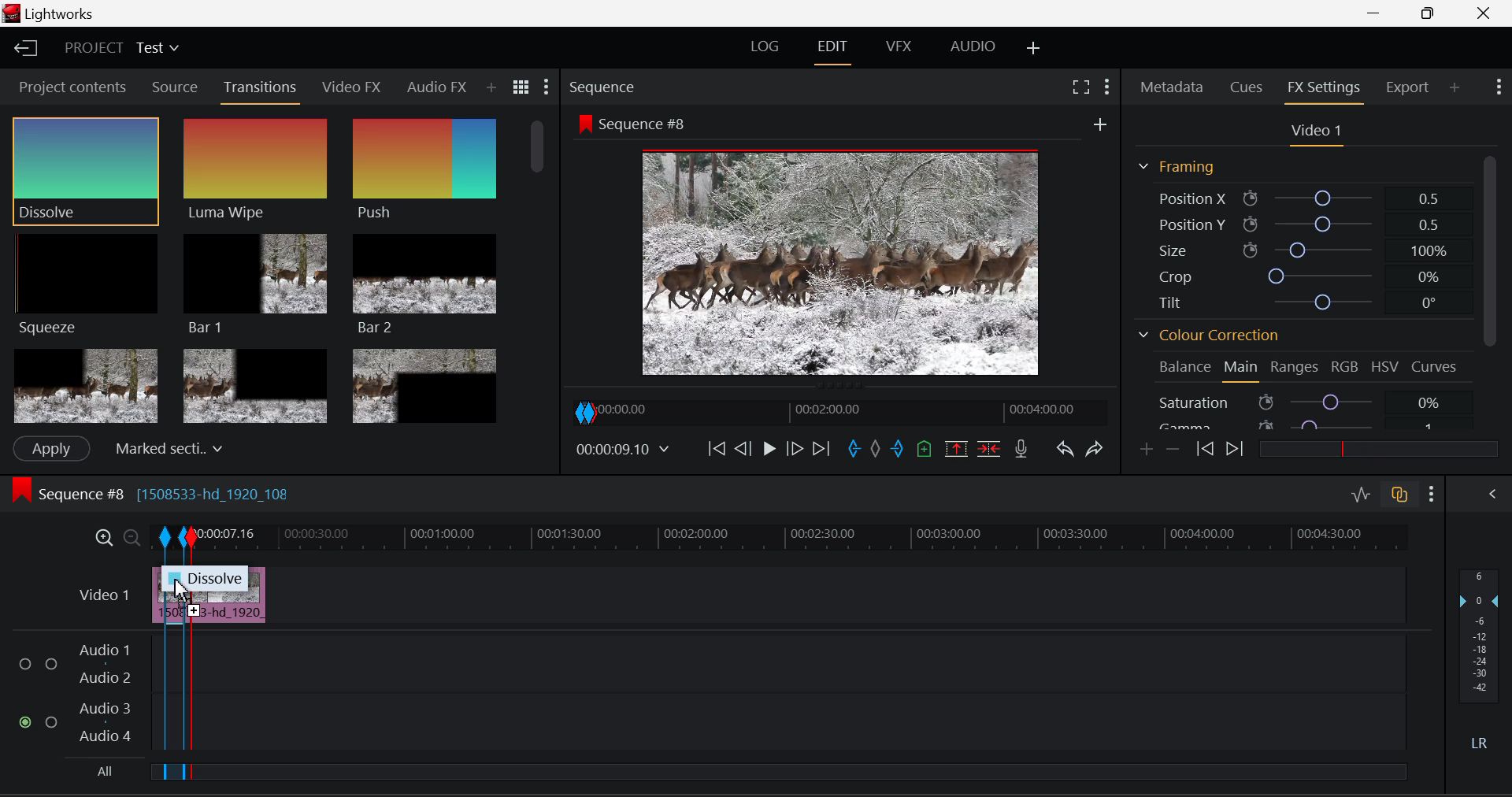 The height and width of the screenshot is (797, 1512). Describe the element at coordinates (1432, 494) in the screenshot. I see `Show Settings` at that location.